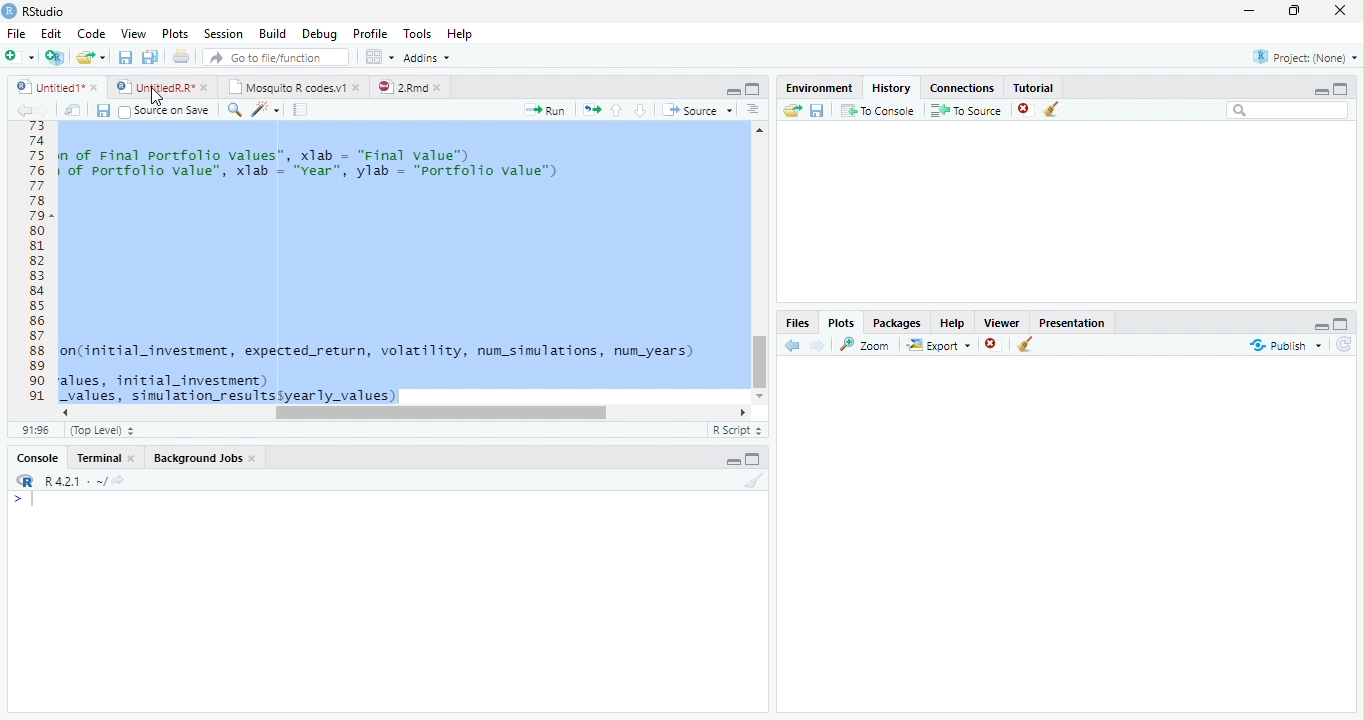  I want to click on Print, so click(181, 56).